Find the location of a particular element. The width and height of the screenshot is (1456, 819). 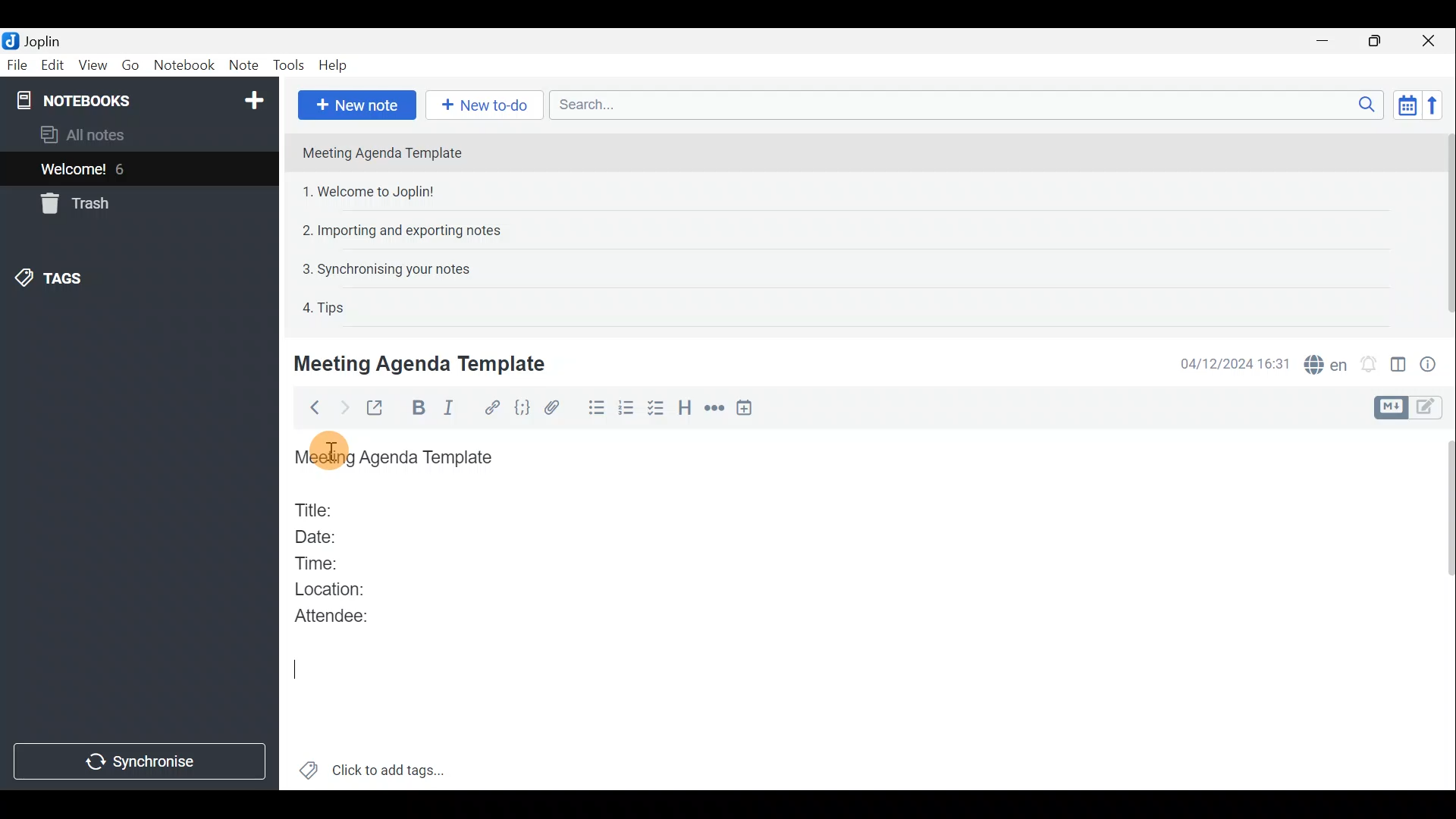

Close is located at coordinates (1429, 42).